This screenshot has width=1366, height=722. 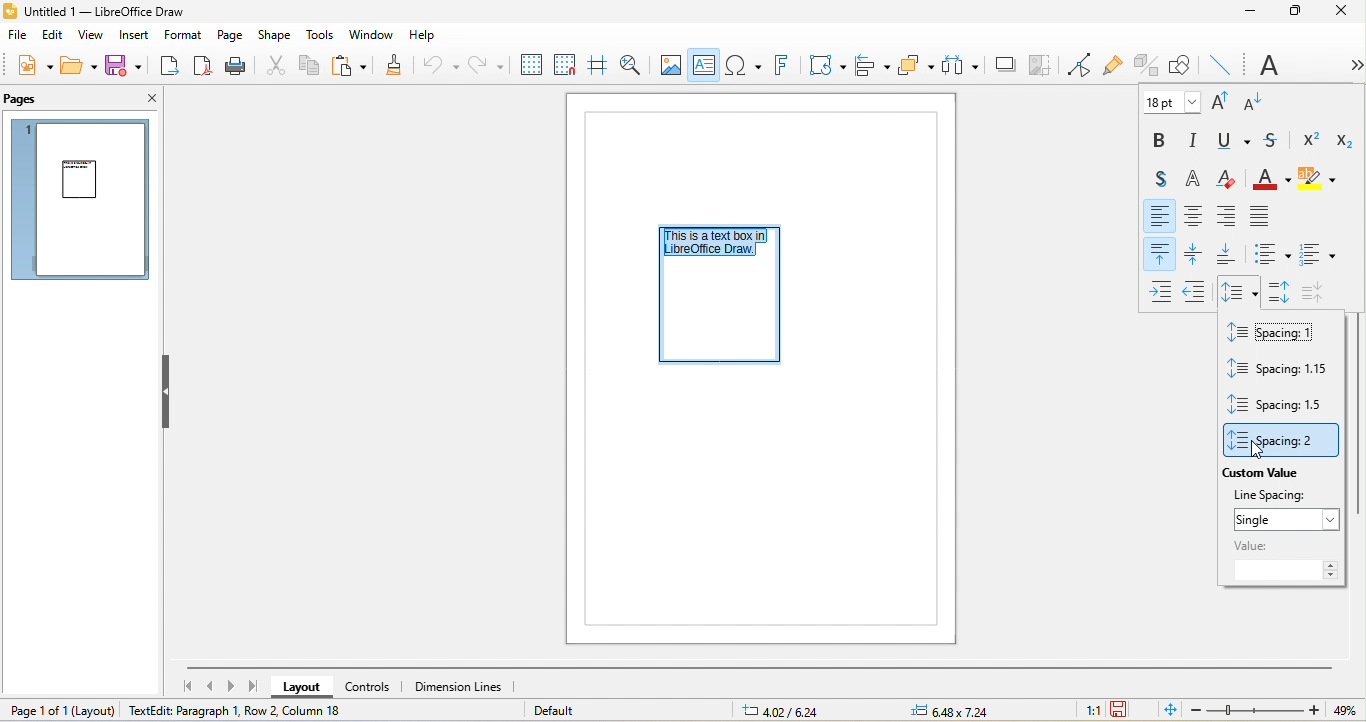 I want to click on zoom, so click(x=1275, y=710).